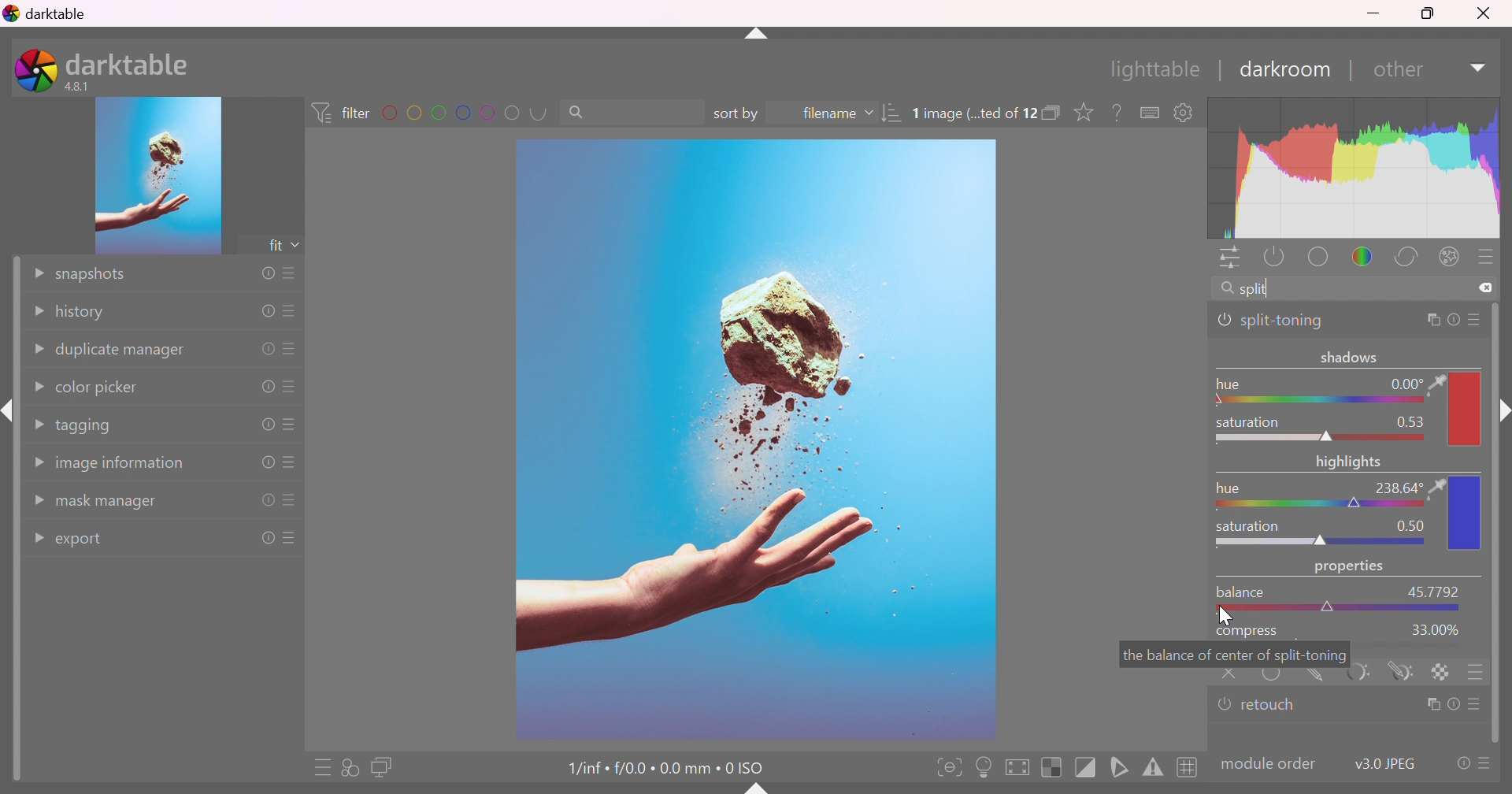  What do you see at coordinates (1325, 401) in the screenshot?
I see `Slider` at bounding box center [1325, 401].